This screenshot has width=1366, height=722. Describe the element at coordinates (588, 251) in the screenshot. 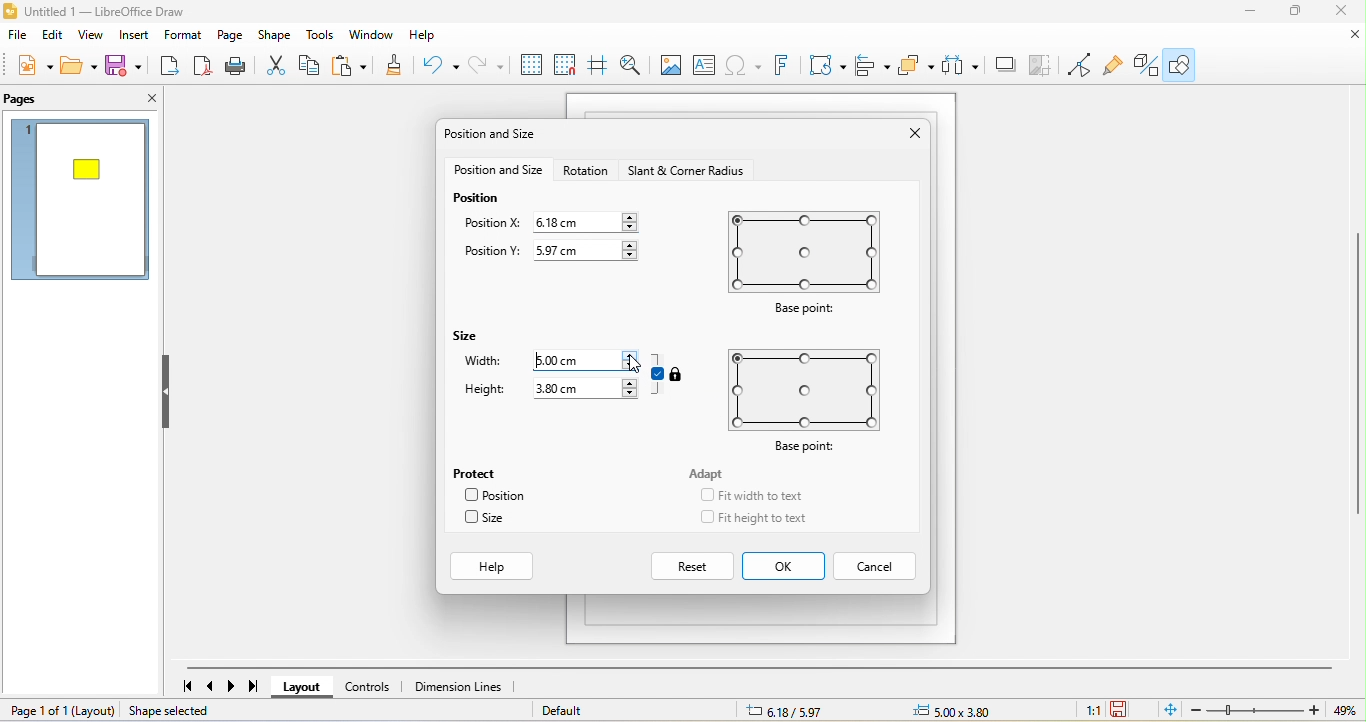

I see `5.97 cm` at that location.